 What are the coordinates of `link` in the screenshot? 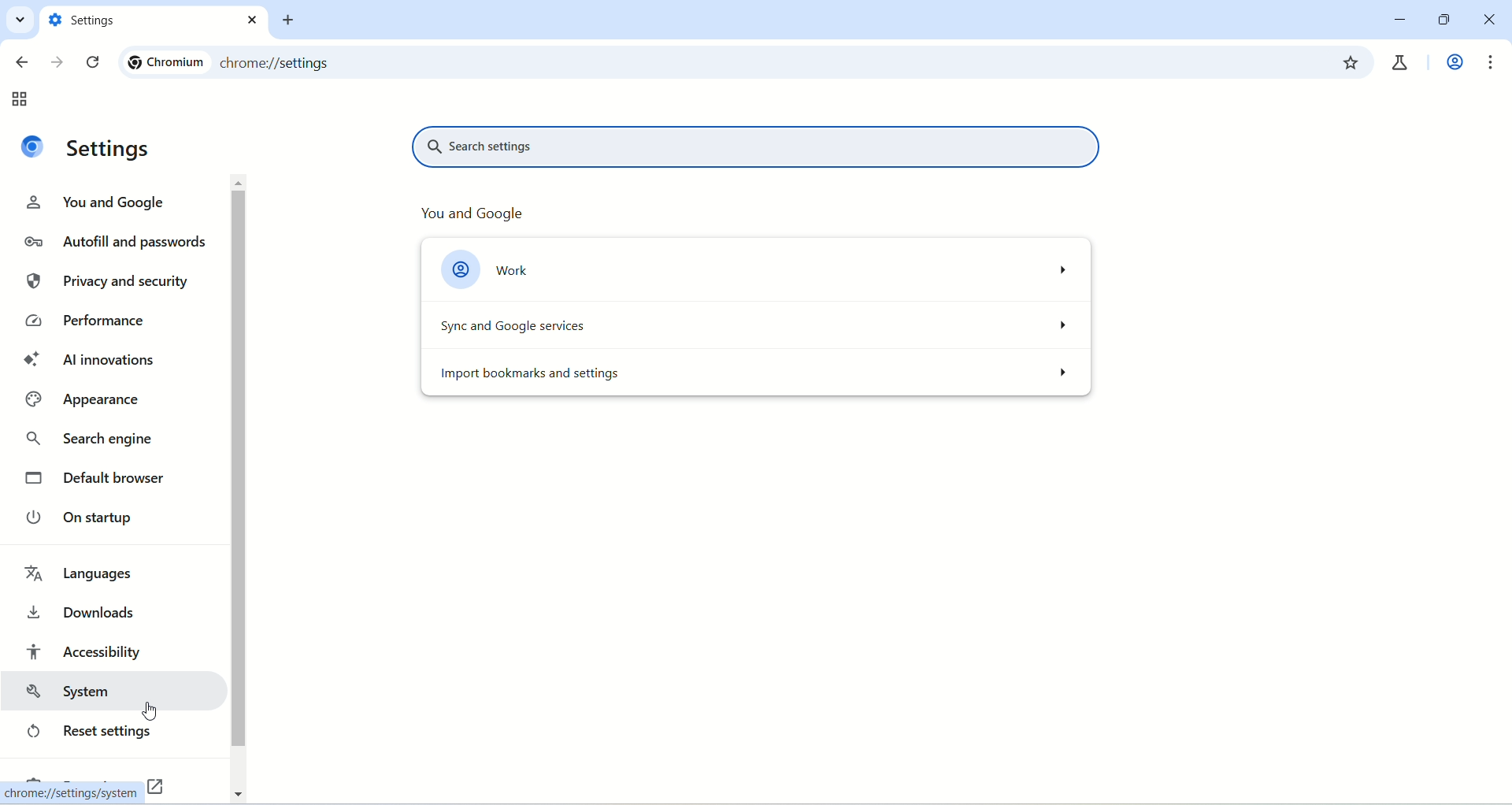 It's located at (157, 787).